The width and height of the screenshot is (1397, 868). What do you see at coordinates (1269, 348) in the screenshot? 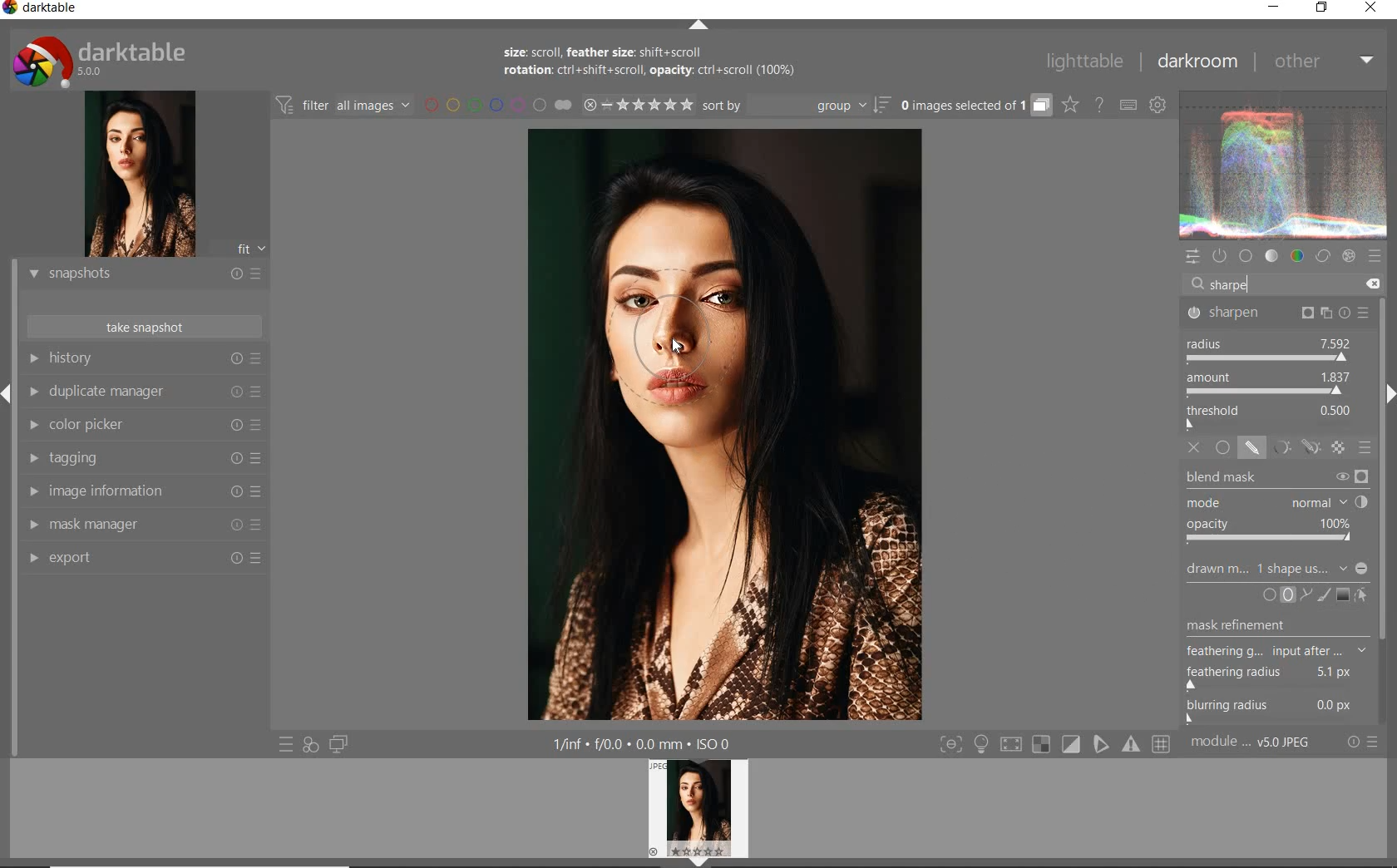
I see `RADIUS` at bounding box center [1269, 348].